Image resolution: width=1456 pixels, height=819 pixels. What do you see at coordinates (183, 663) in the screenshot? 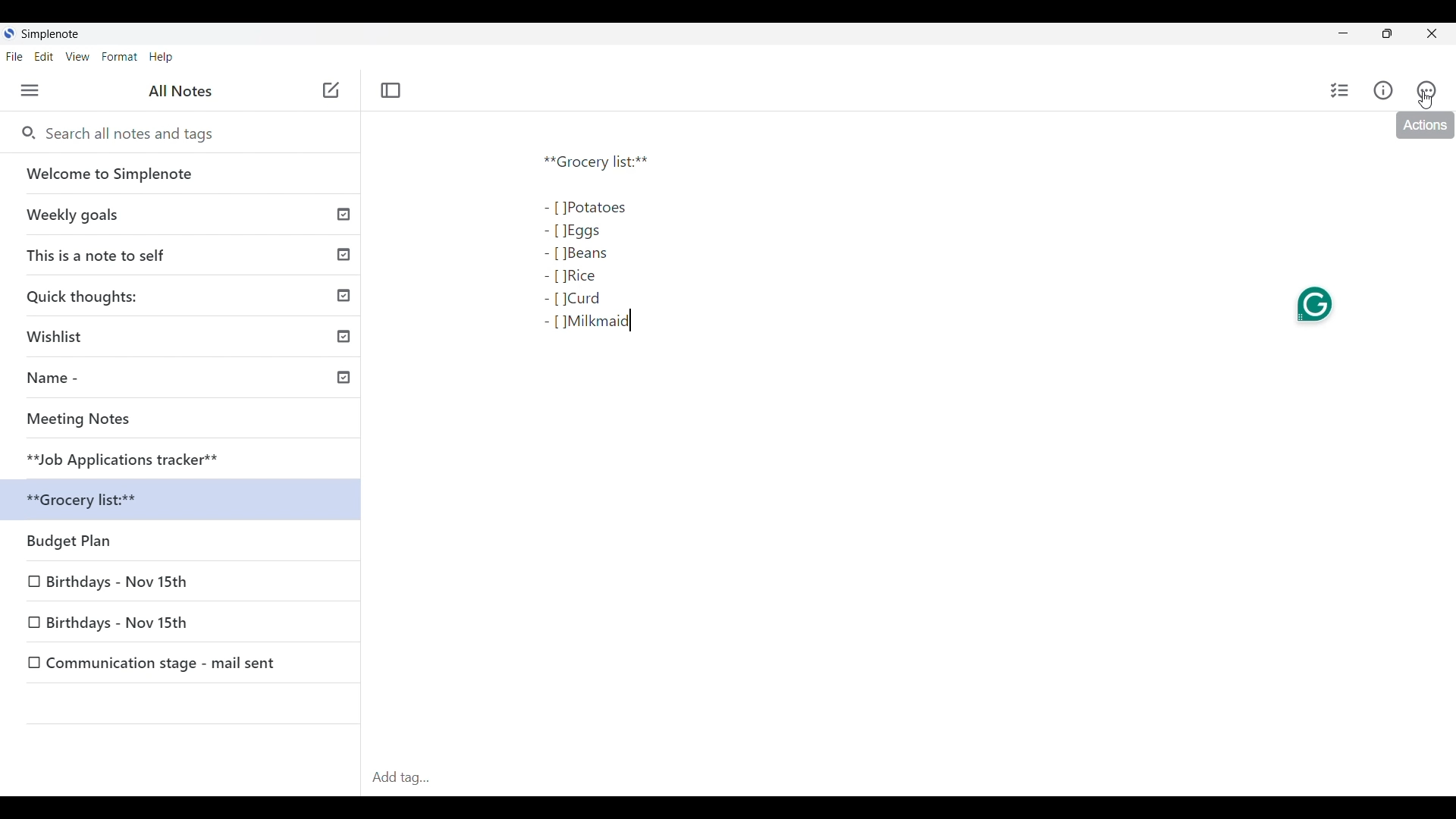
I see `Communication stage - mail sent` at bounding box center [183, 663].